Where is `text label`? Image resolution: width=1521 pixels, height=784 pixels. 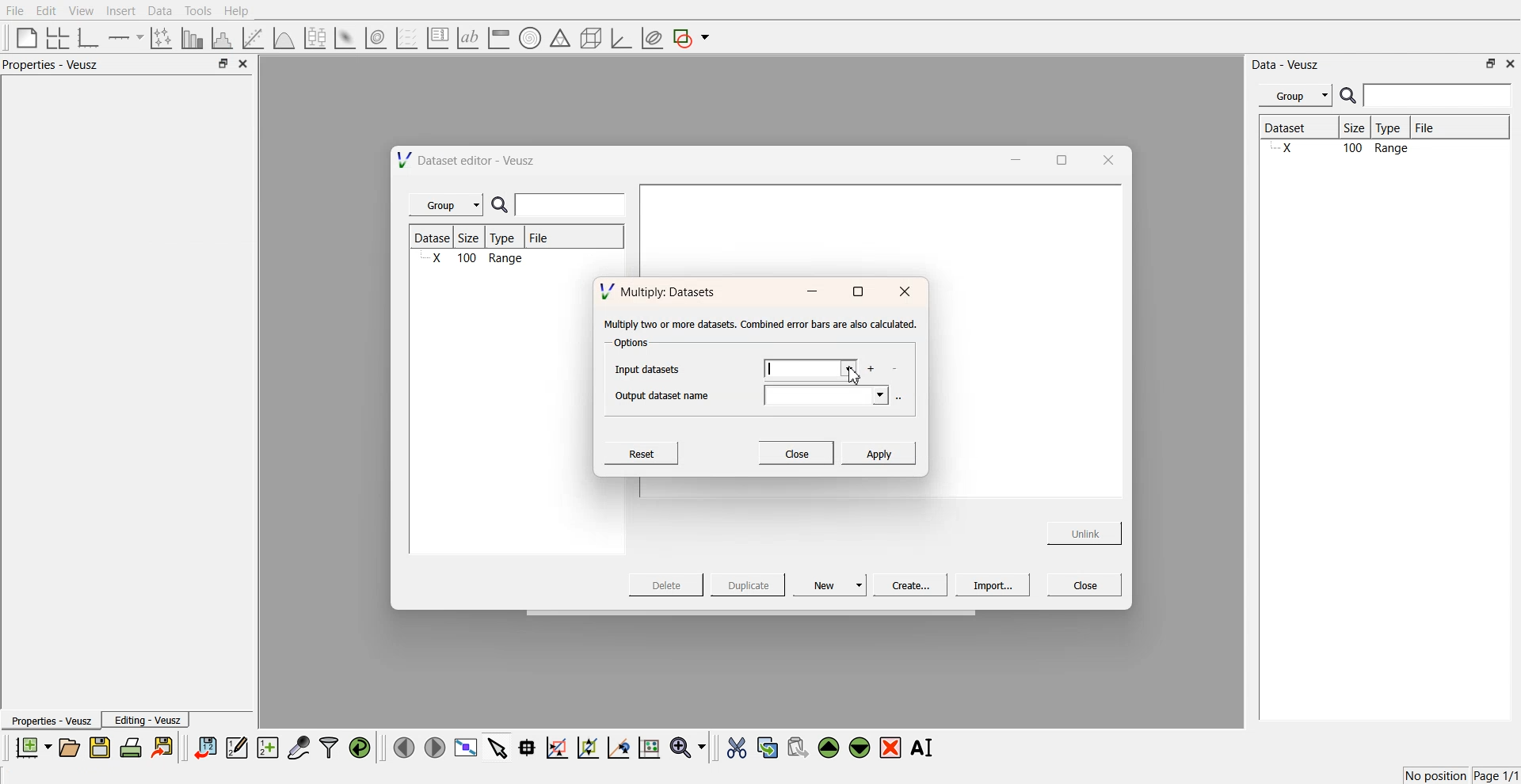 text label is located at coordinates (466, 38).